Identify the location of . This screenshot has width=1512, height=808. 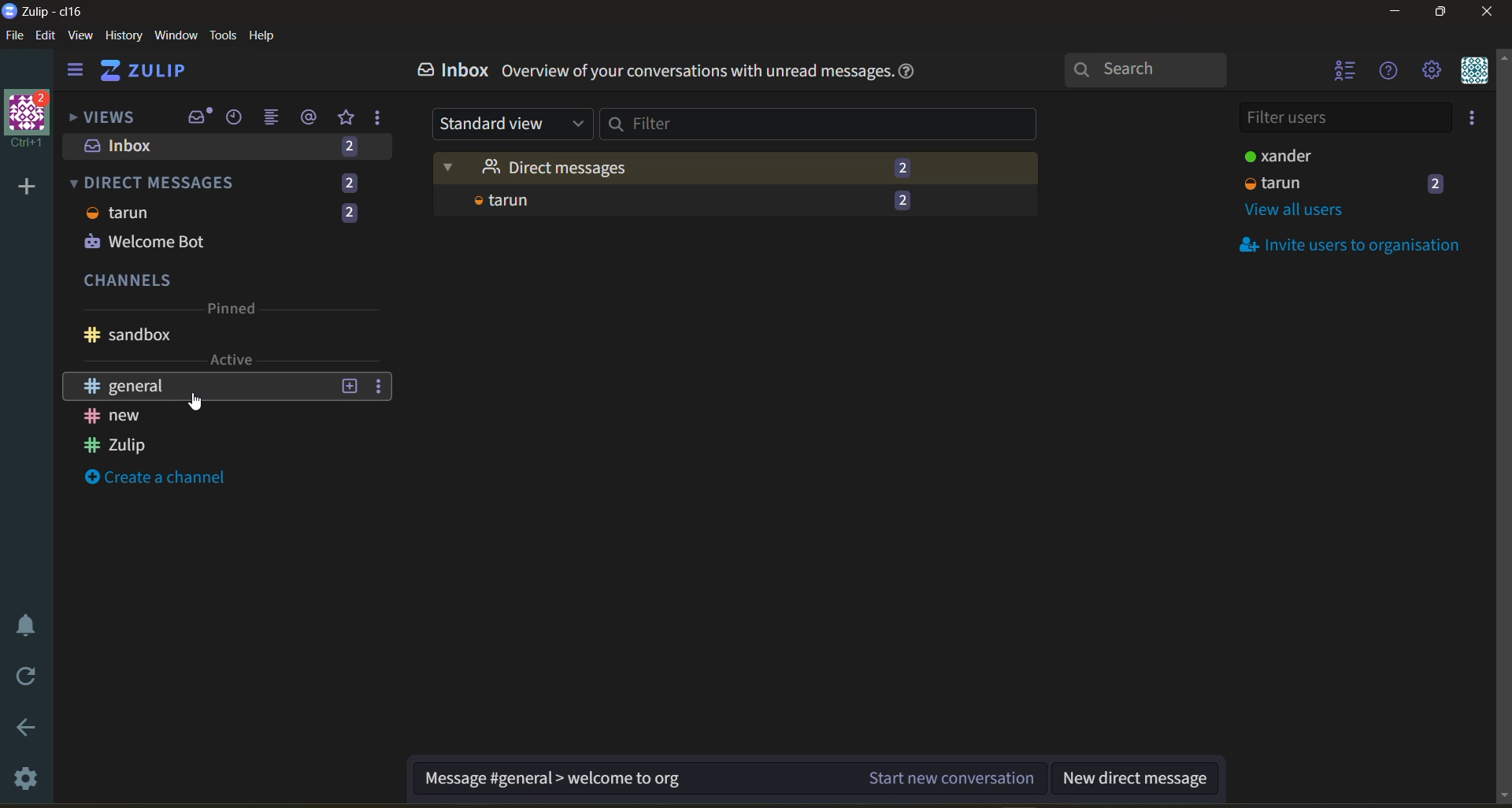
(228, 228).